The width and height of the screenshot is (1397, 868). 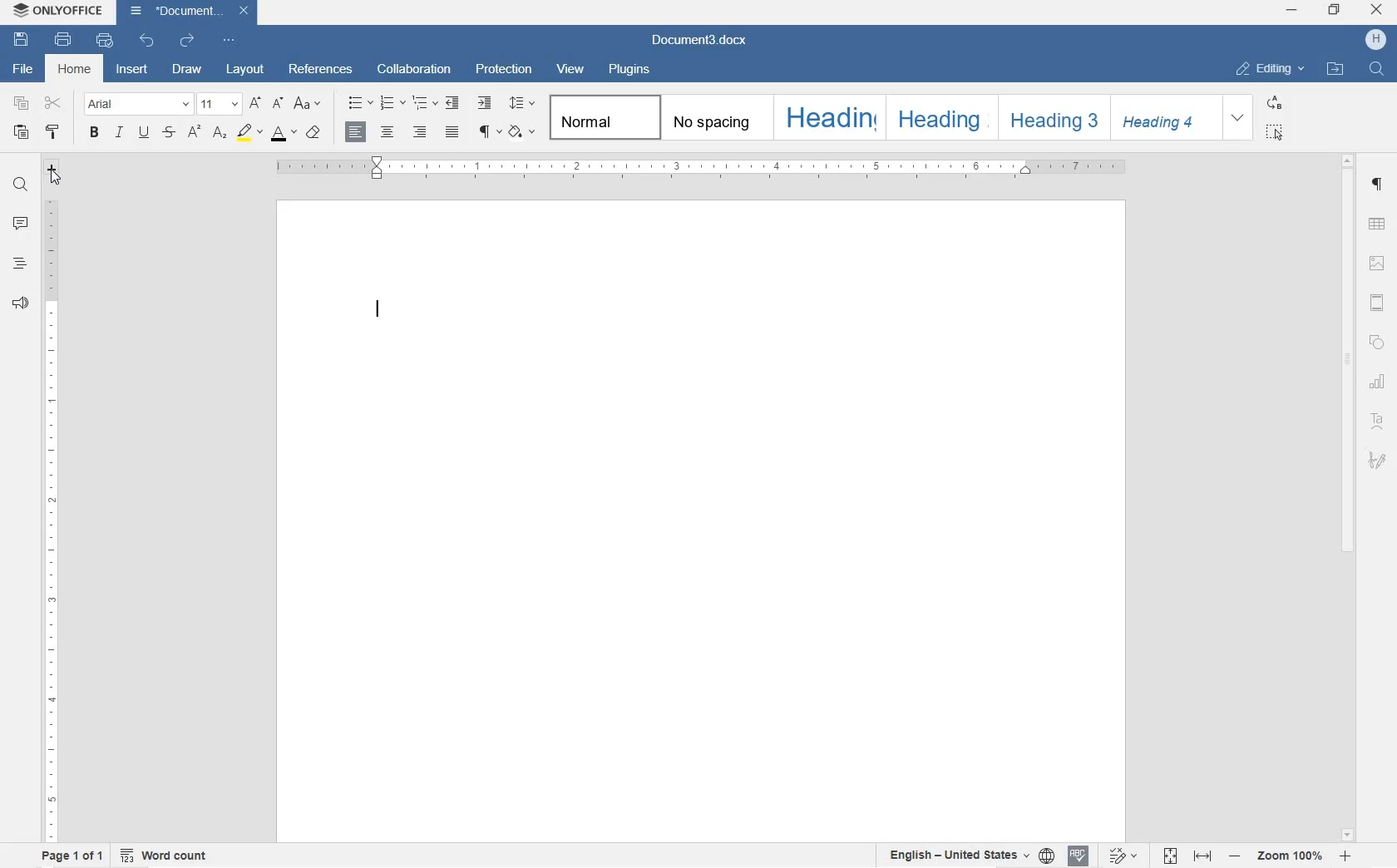 I want to click on CUT, so click(x=54, y=102).